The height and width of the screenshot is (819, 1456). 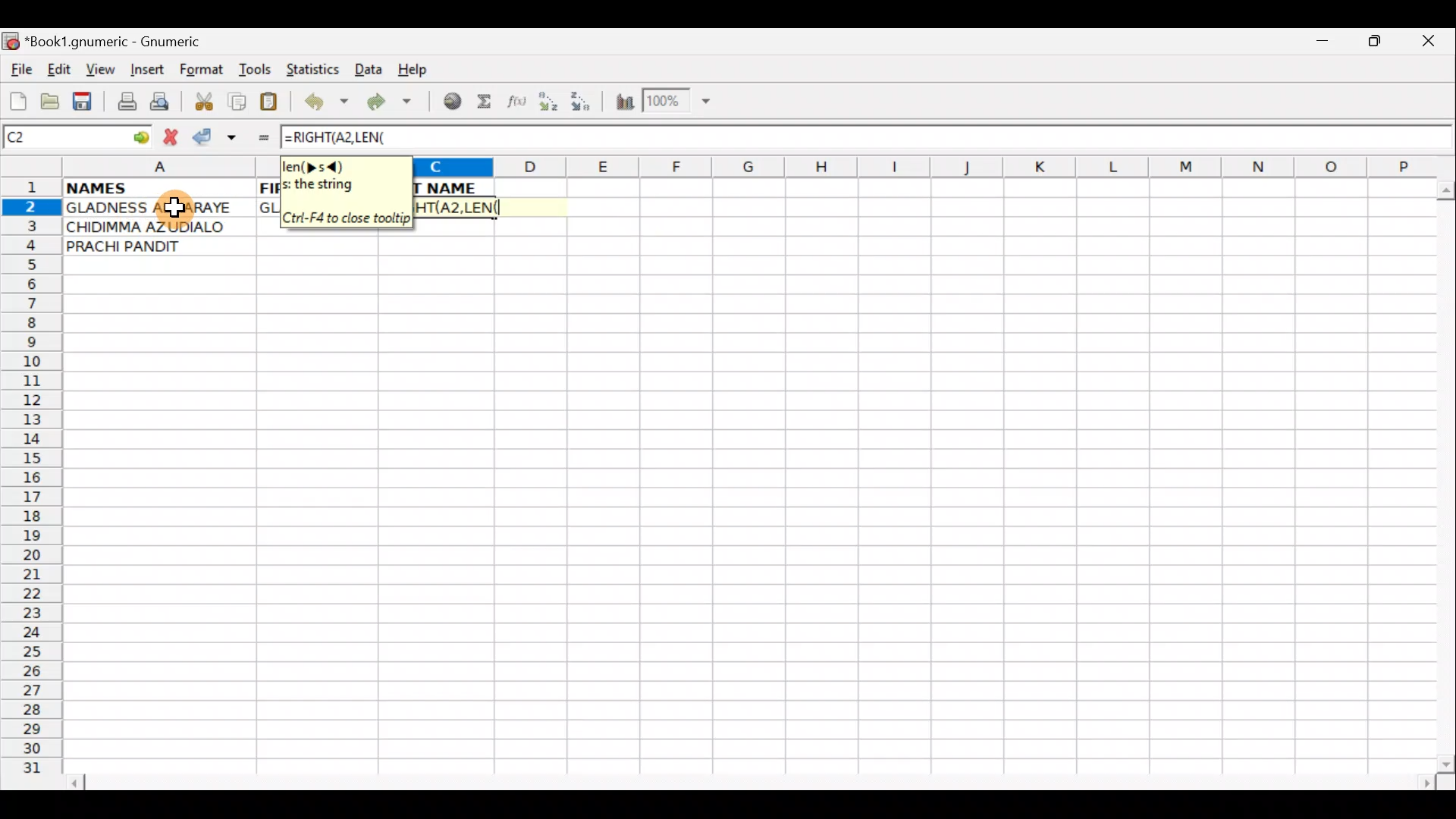 What do you see at coordinates (53, 99) in the screenshot?
I see `Open a file` at bounding box center [53, 99].